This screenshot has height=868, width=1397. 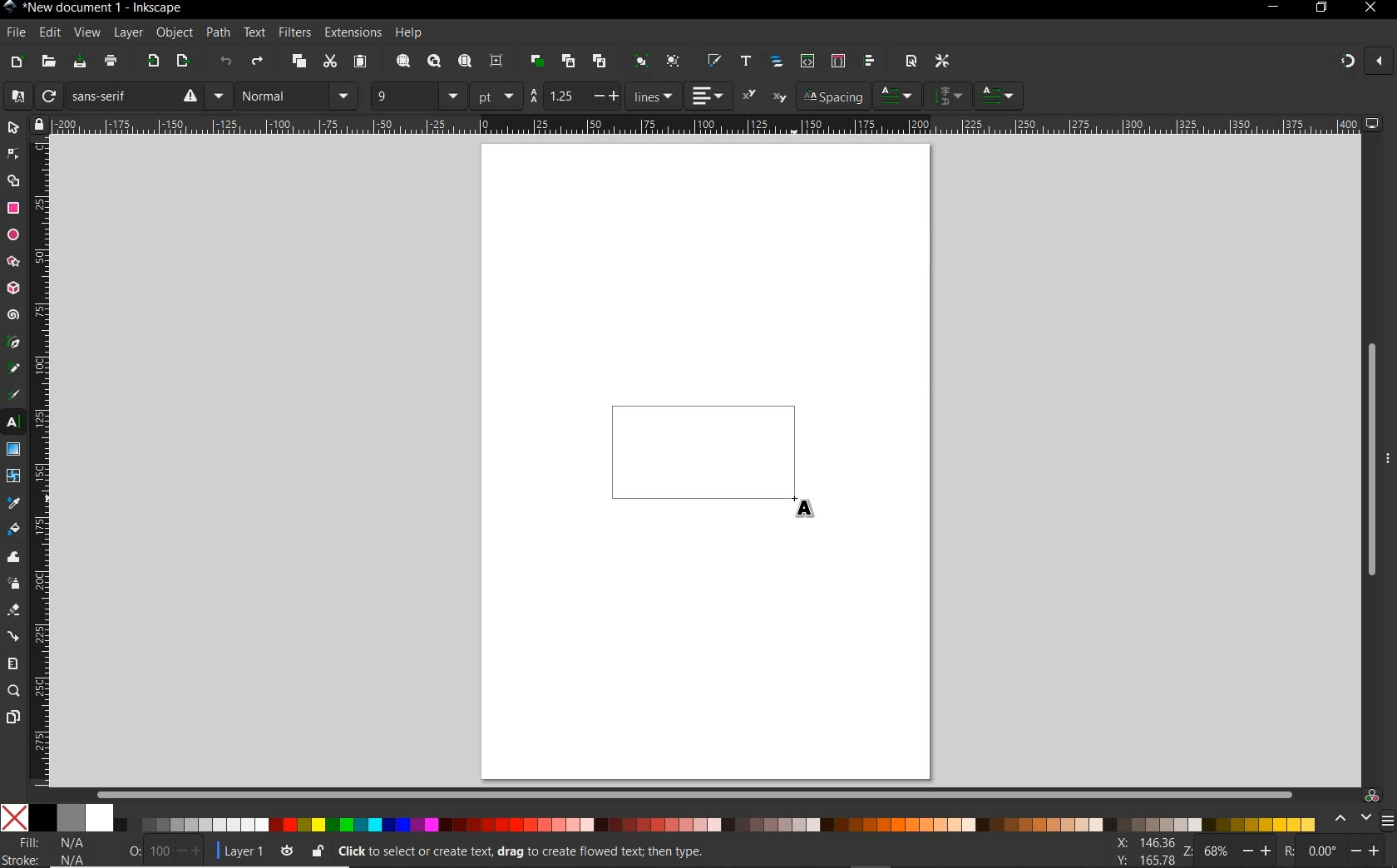 I want to click on edit, so click(x=49, y=33).